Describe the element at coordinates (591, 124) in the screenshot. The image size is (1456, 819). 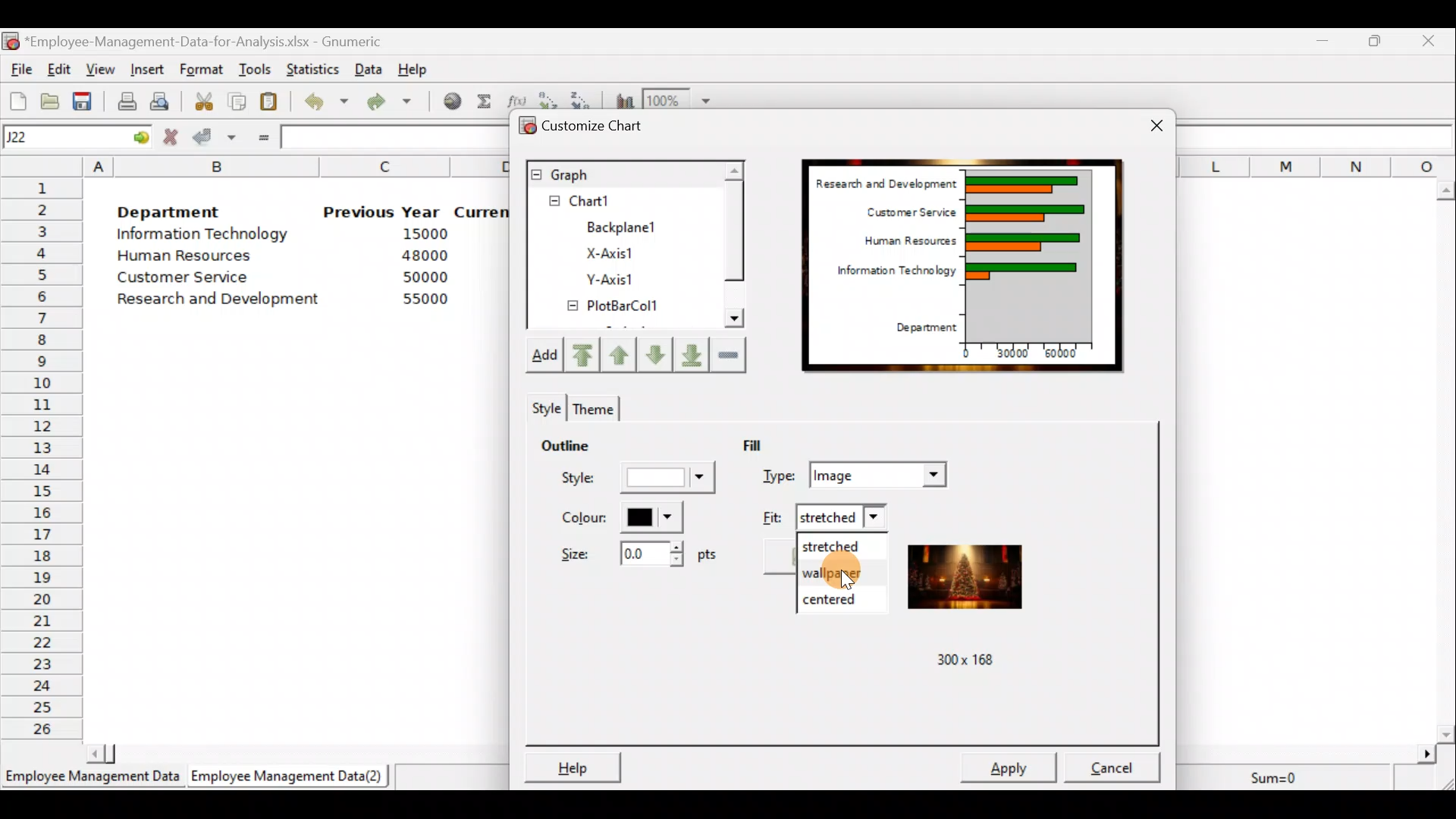
I see `Customize chart` at that location.